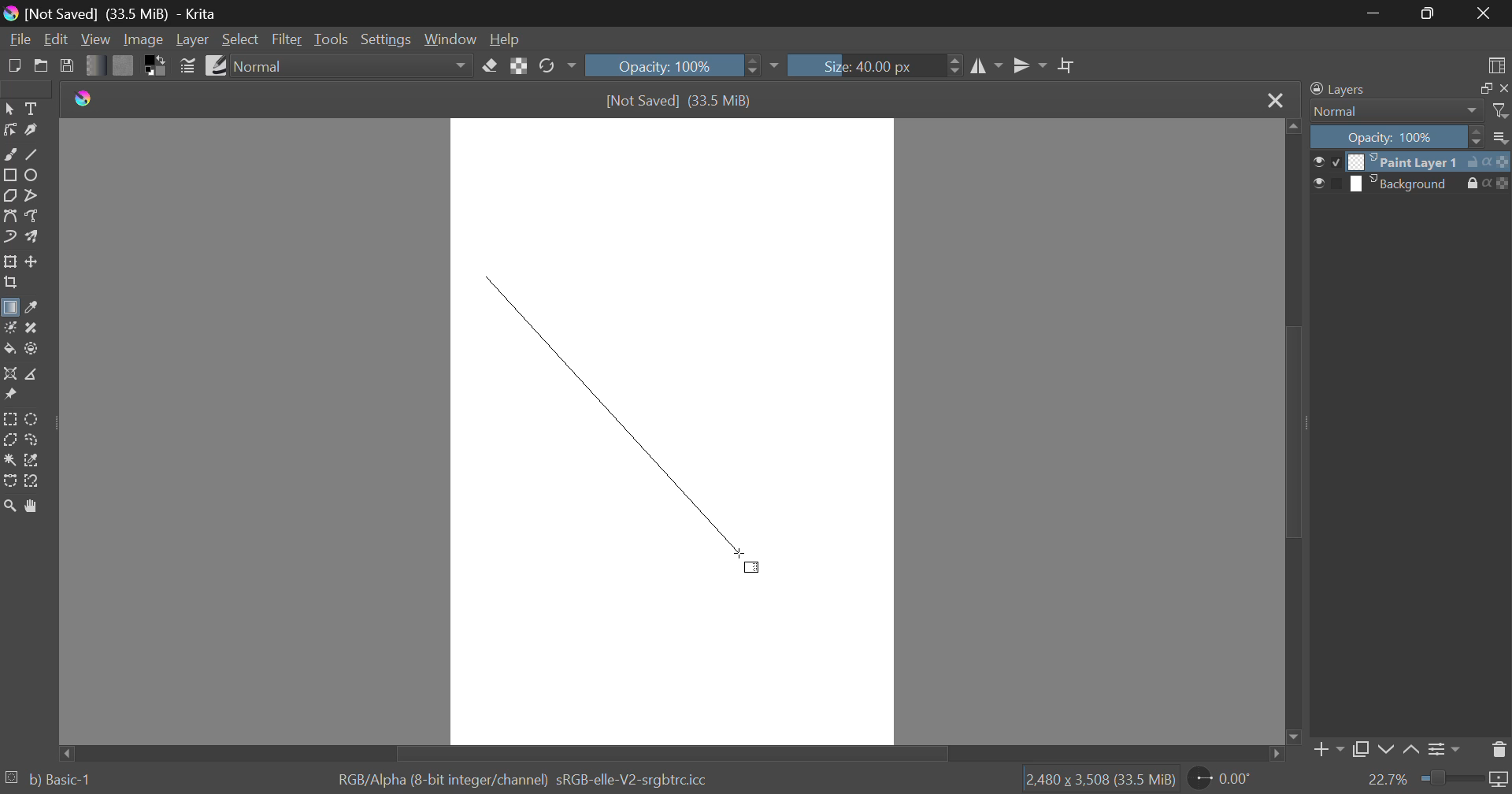 Image resolution: width=1512 pixels, height=794 pixels. Describe the element at coordinates (1067, 66) in the screenshot. I see `Crop` at that location.